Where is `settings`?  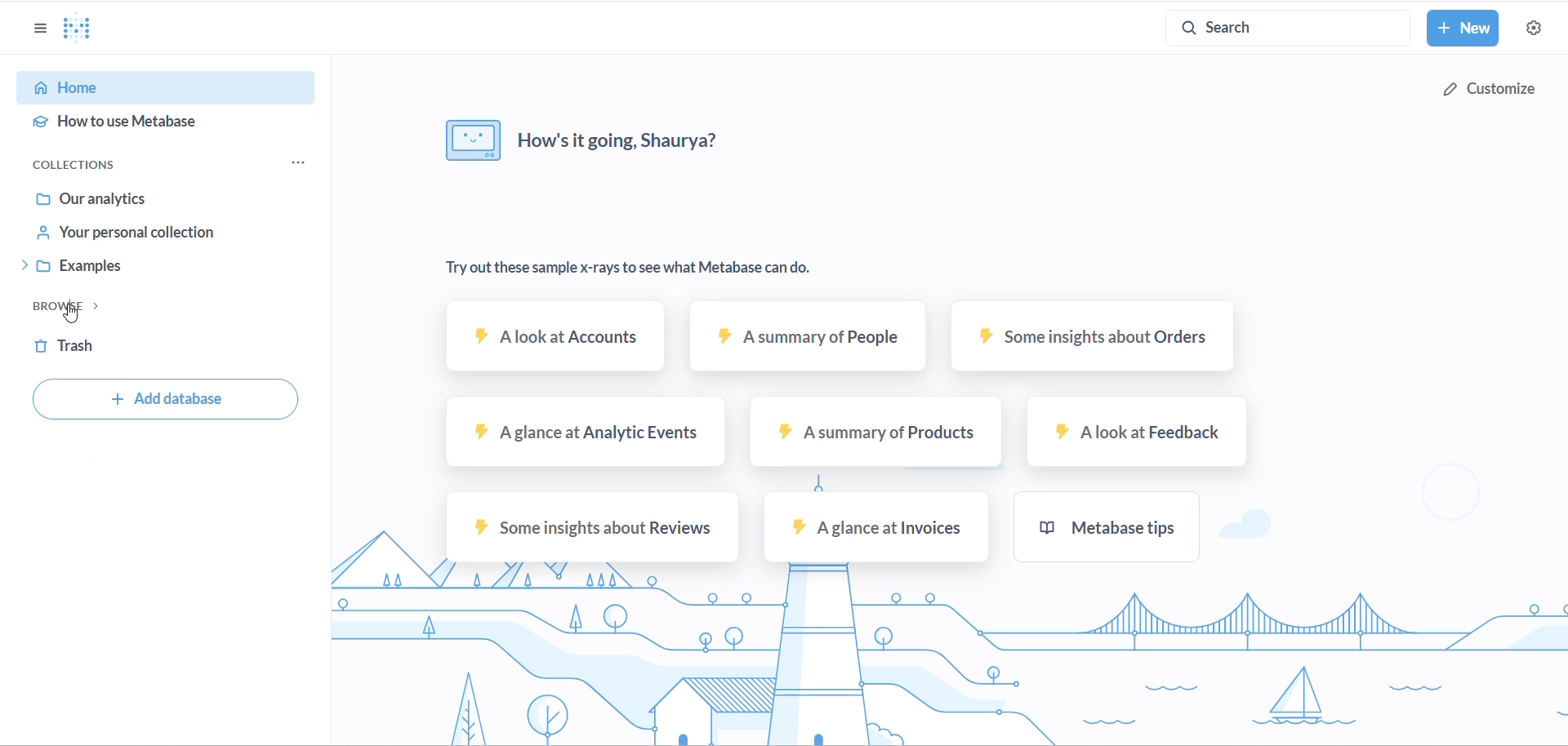
settings is located at coordinates (1530, 29).